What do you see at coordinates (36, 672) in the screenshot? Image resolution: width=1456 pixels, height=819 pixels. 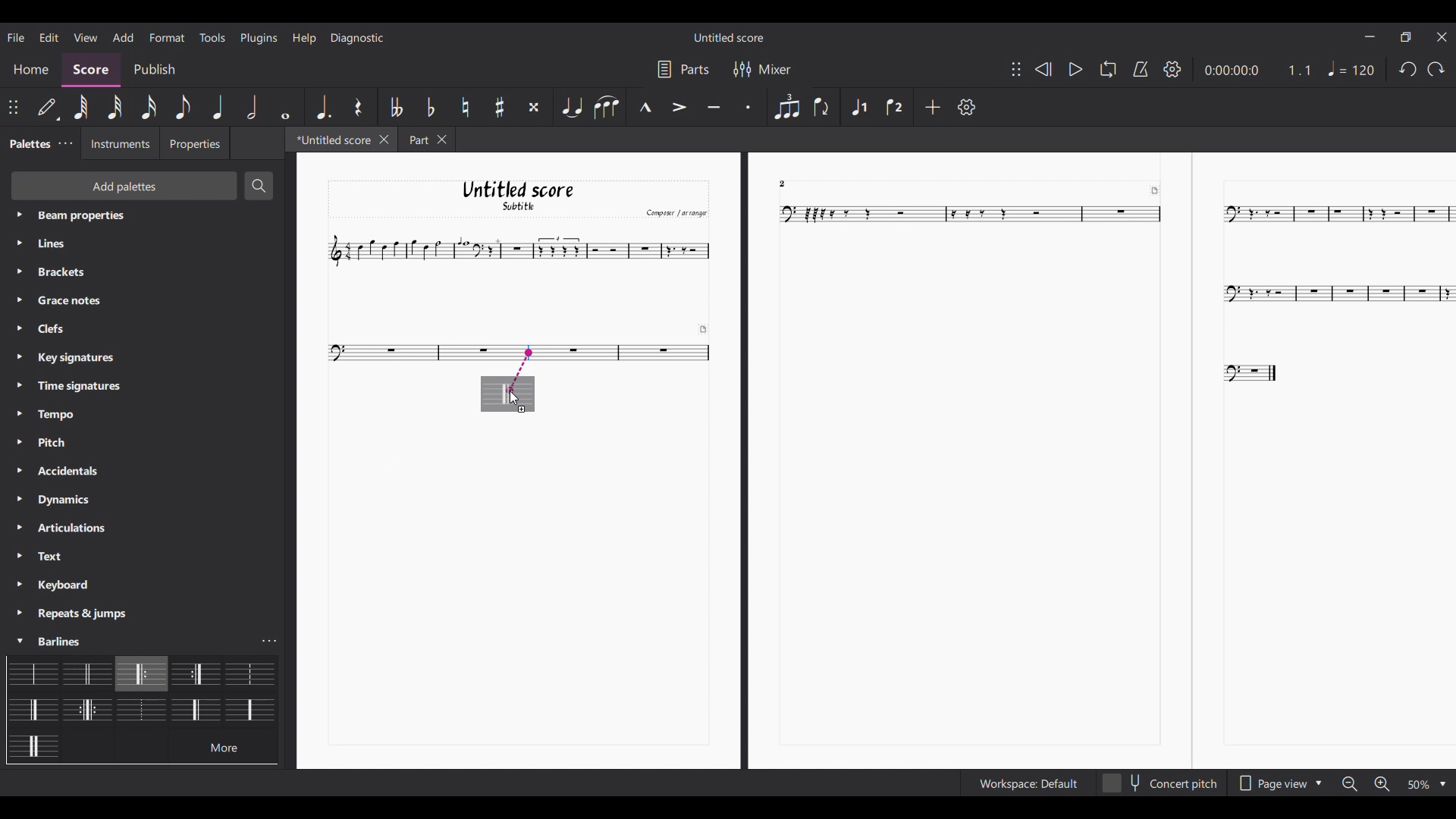 I see `Barline options` at bounding box center [36, 672].